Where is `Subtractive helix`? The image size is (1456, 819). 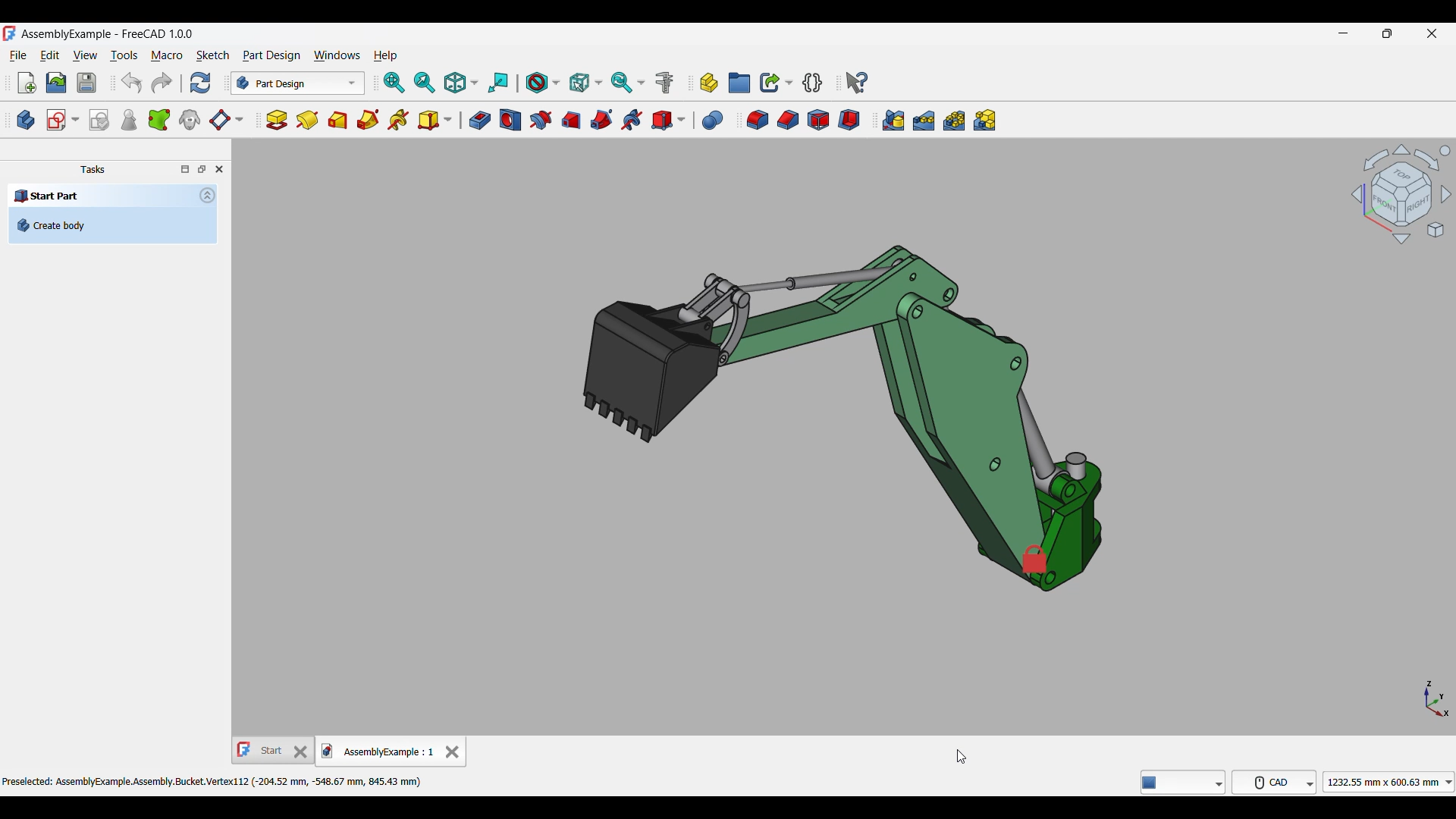 Subtractive helix is located at coordinates (632, 120).